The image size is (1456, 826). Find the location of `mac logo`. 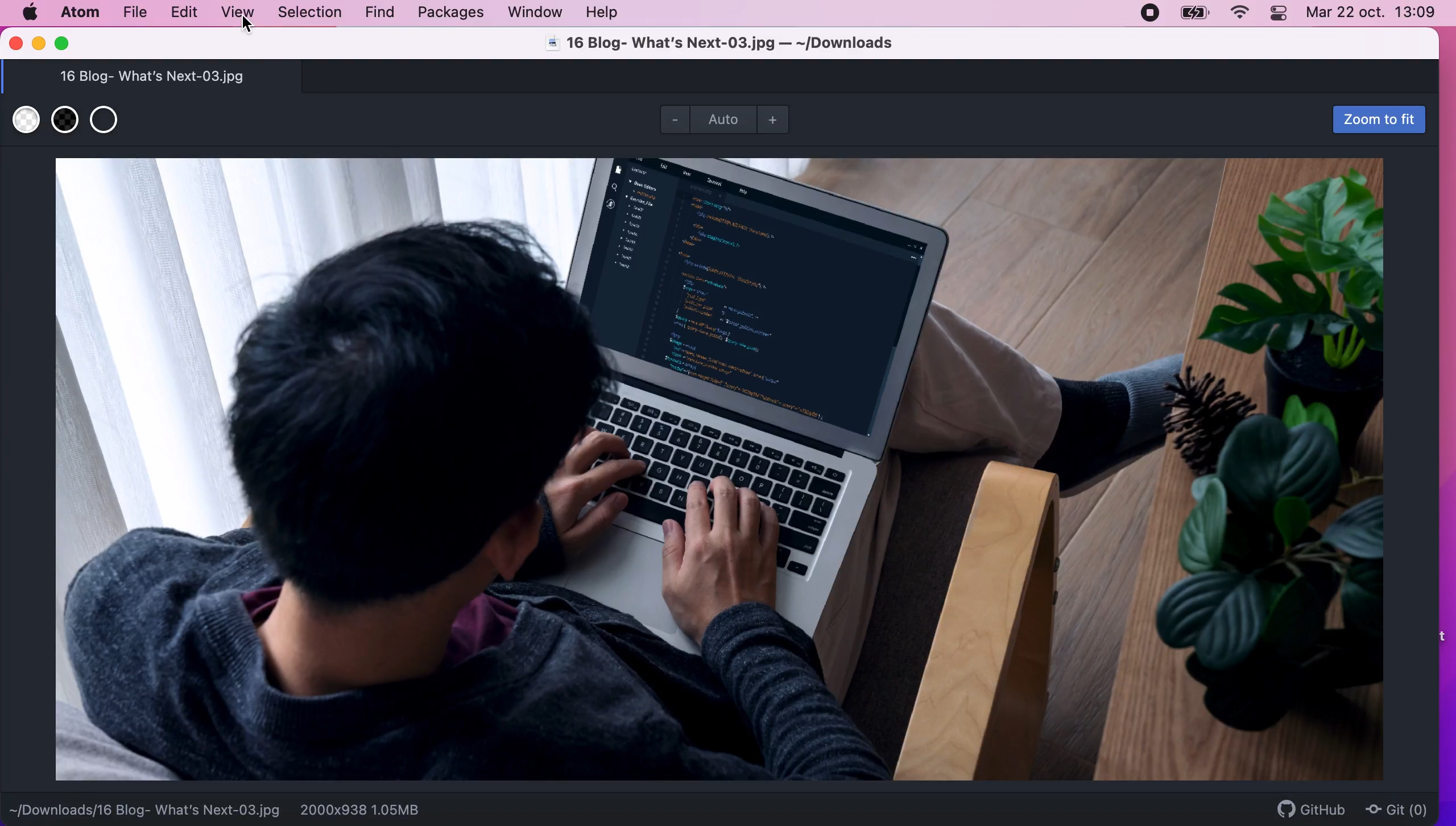

mac logo is located at coordinates (29, 12).